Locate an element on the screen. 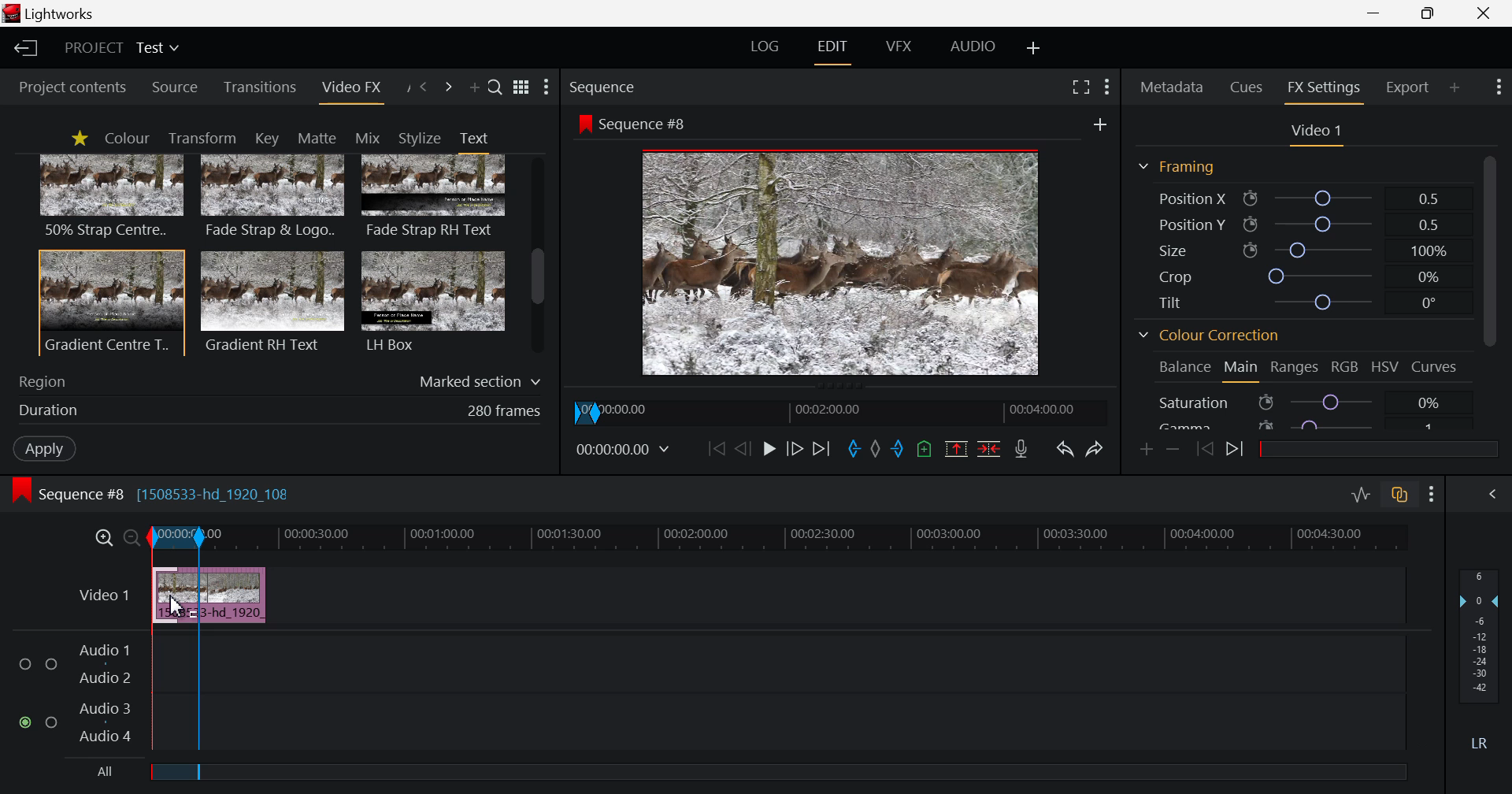 This screenshot has width=1512, height=794. Colour is located at coordinates (126, 139).